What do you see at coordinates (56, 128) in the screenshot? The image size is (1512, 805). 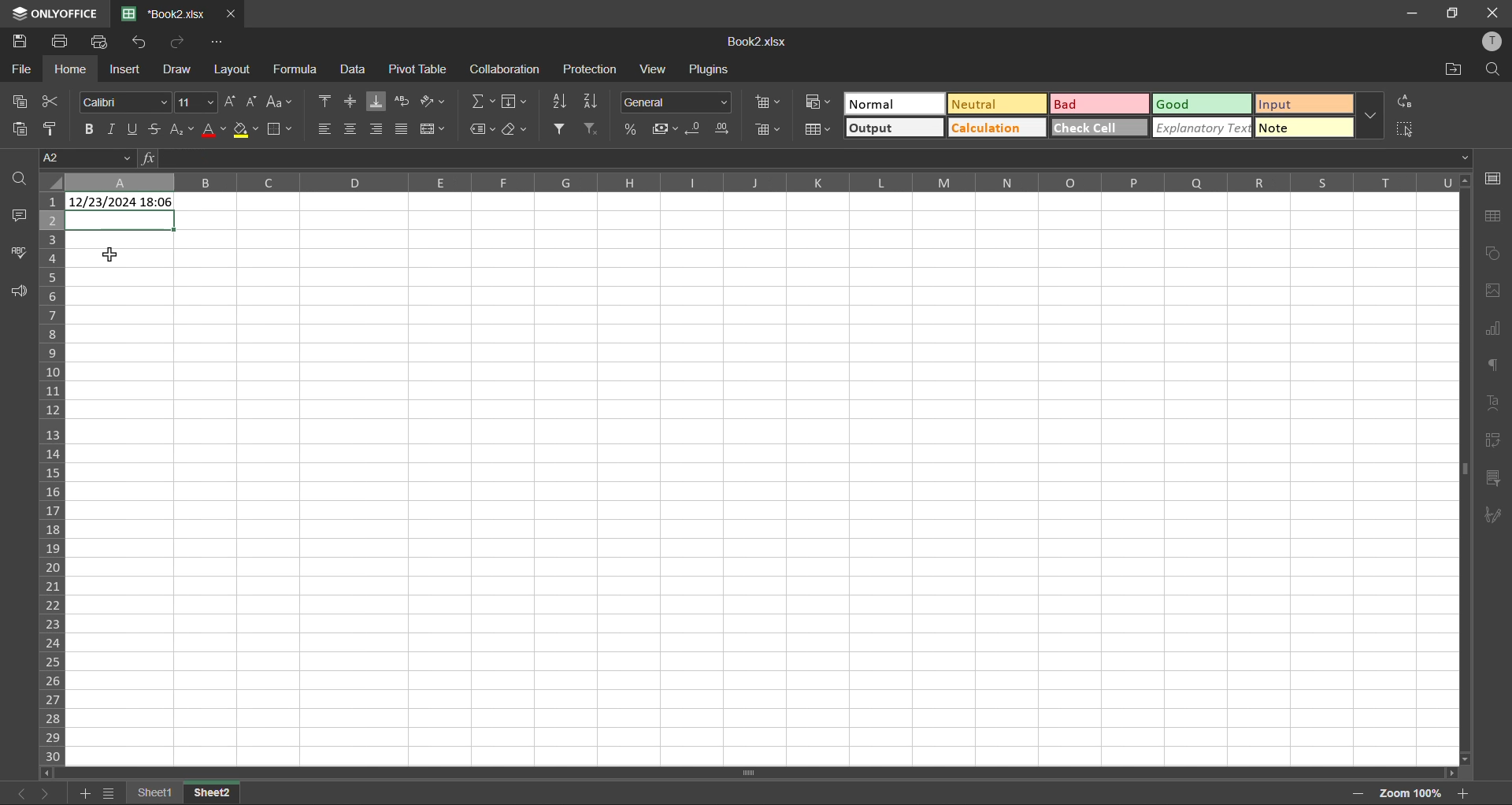 I see `copy style` at bounding box center [56, 128].